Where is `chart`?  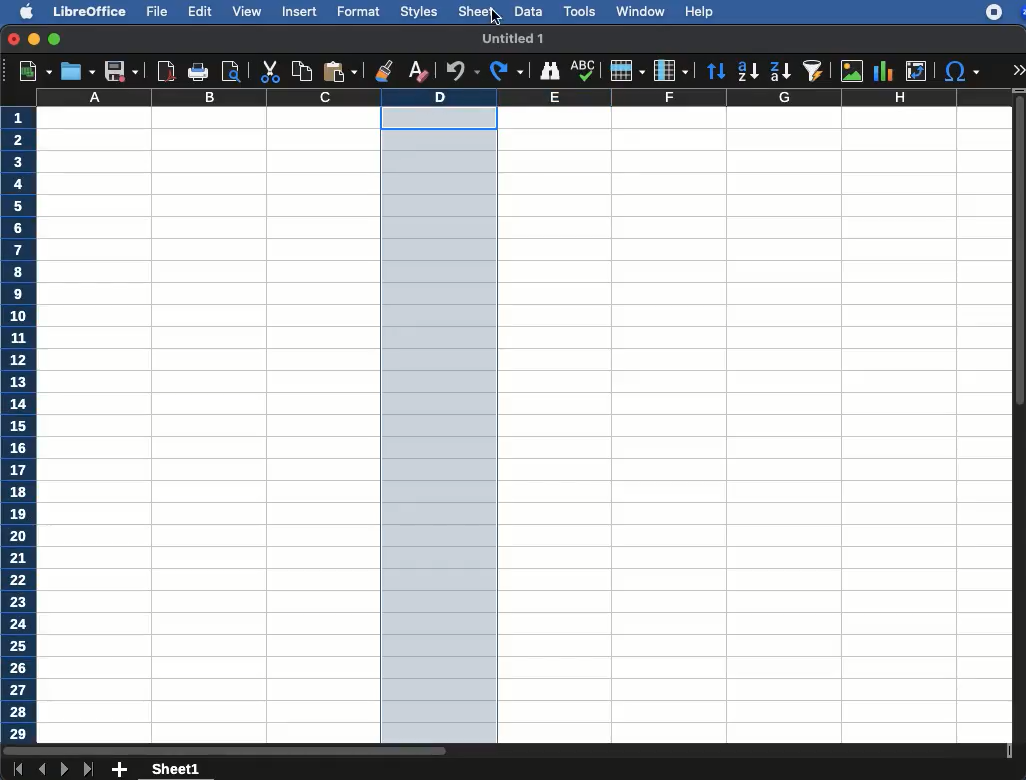
chart is located at coordinates (882, 70).